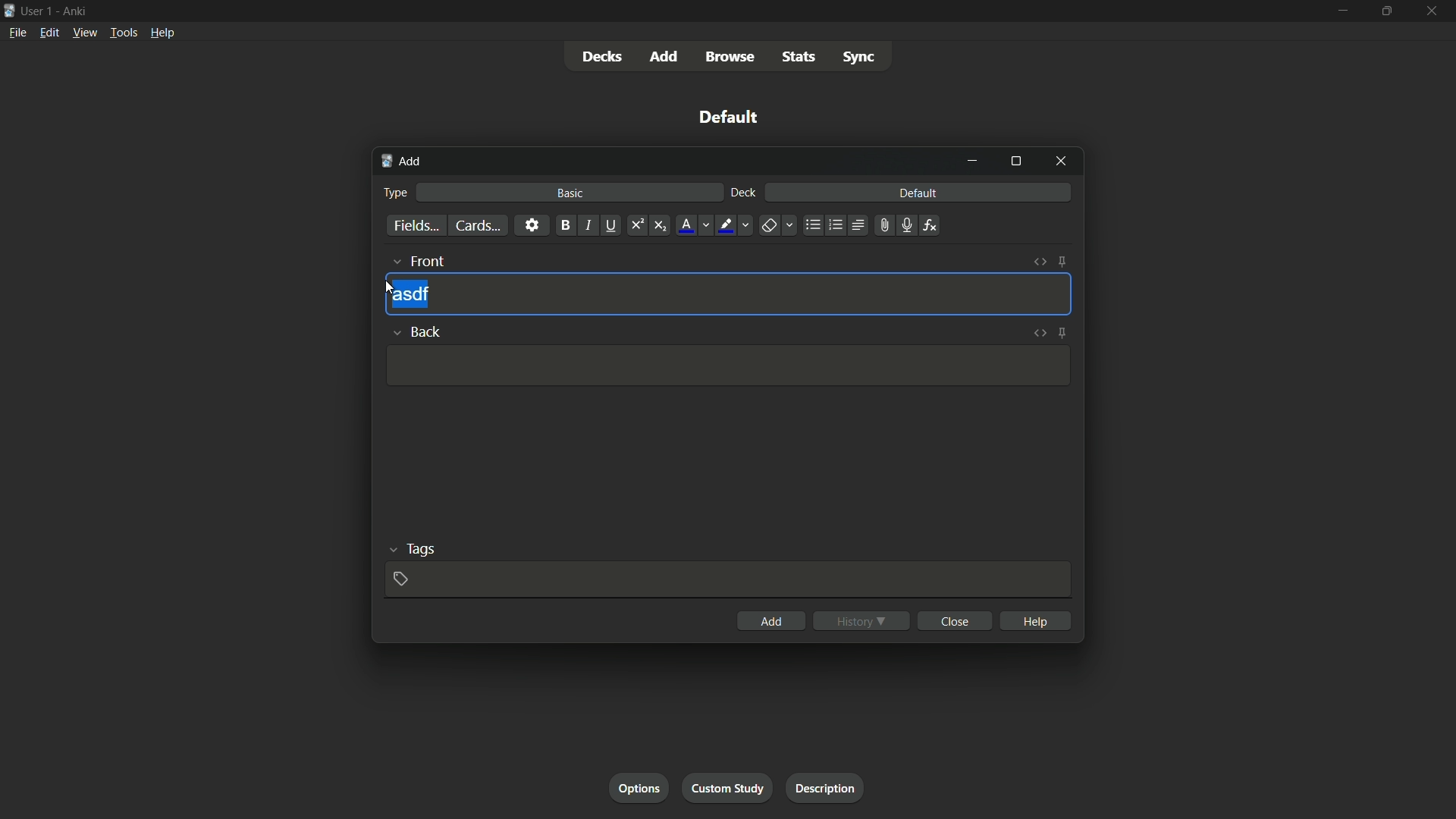 Image resolution: width=1456 pixels, height=819 pixels. Describe the element at coordinates (725, 116) in the screenshot. I see `default` at that location.